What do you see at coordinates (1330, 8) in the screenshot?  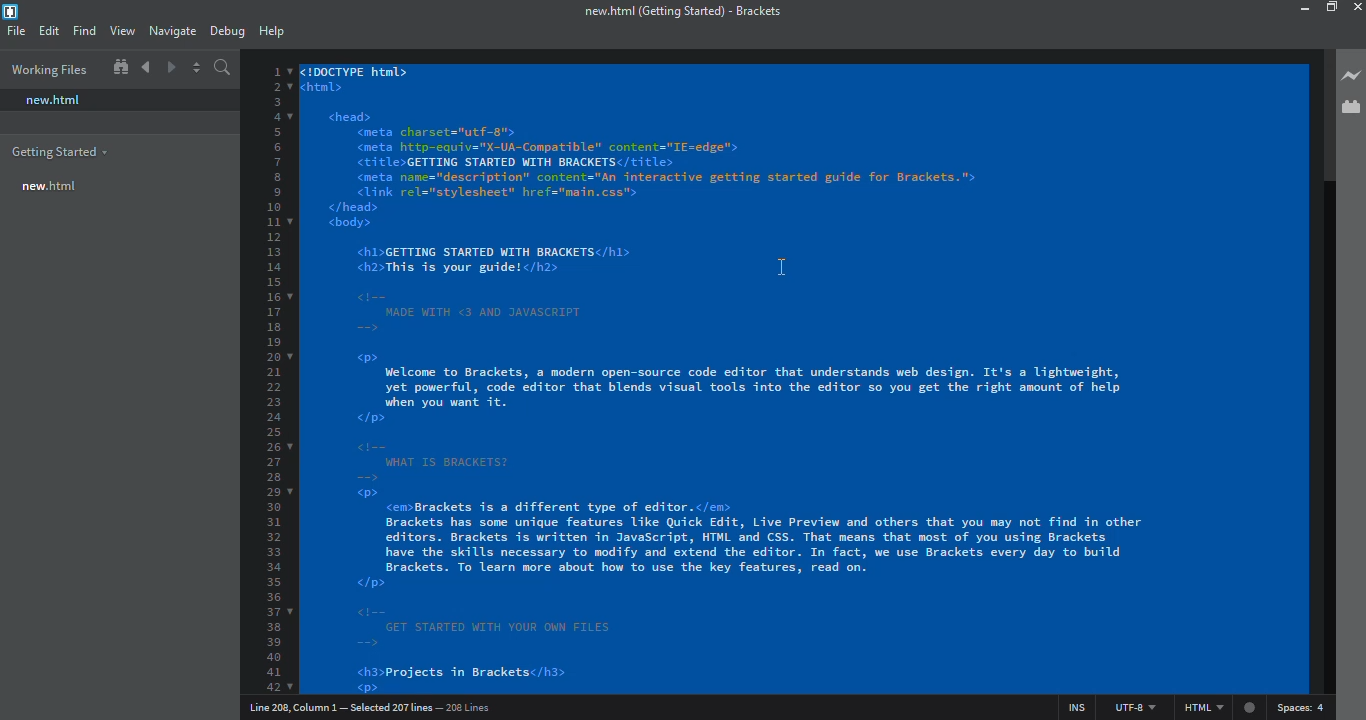 I see `maximize` at bounding box center [1330, 8].